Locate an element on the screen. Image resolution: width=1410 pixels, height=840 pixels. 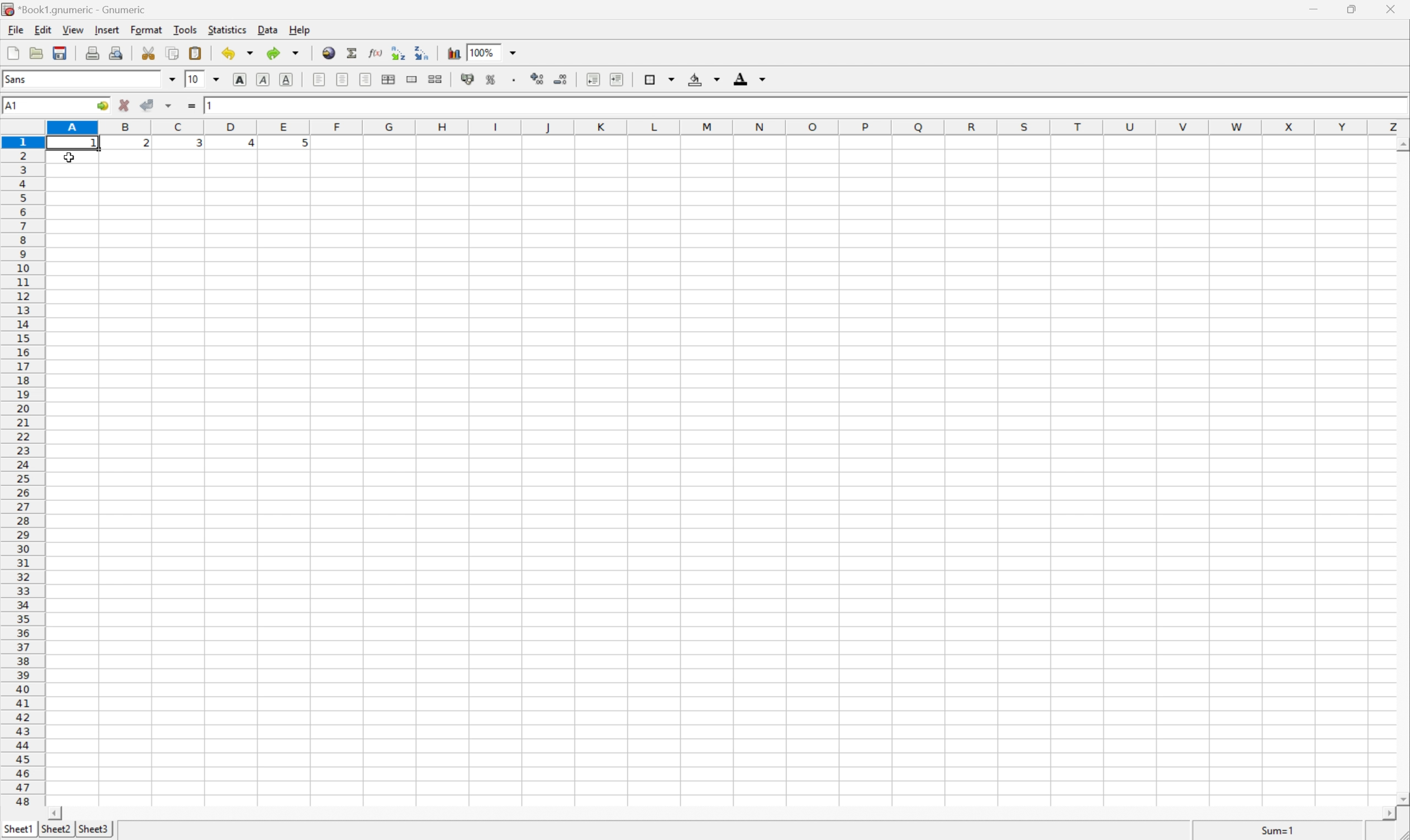
data is located at coordinates (266, 29).